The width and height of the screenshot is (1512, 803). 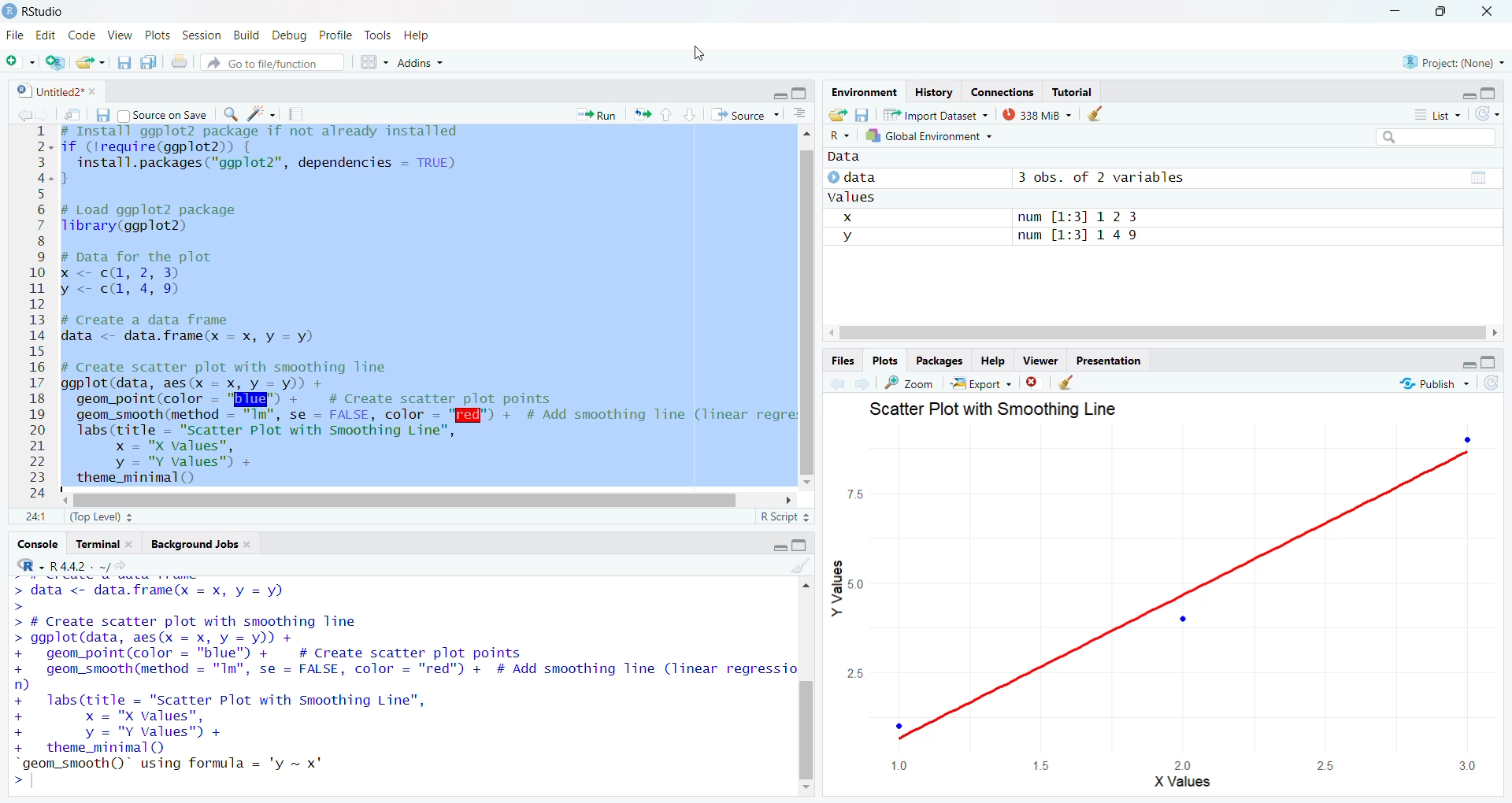 I want to click on y, so click(x=853, y=237).